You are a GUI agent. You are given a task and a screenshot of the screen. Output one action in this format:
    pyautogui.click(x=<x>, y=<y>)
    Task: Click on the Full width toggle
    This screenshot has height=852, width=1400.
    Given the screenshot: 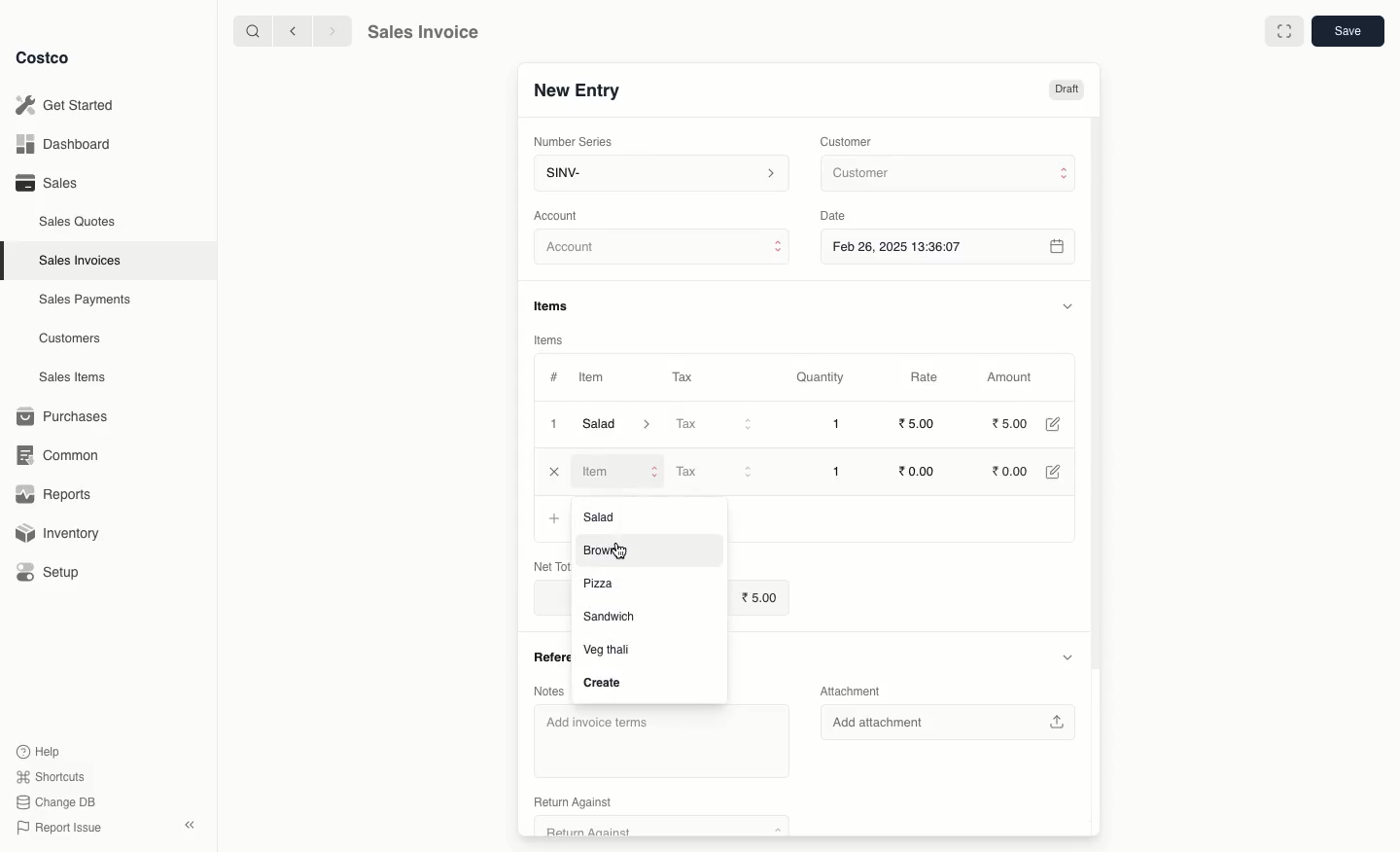 What is the action you would take?
    pyautogui.click(x=1282, y=32)
    